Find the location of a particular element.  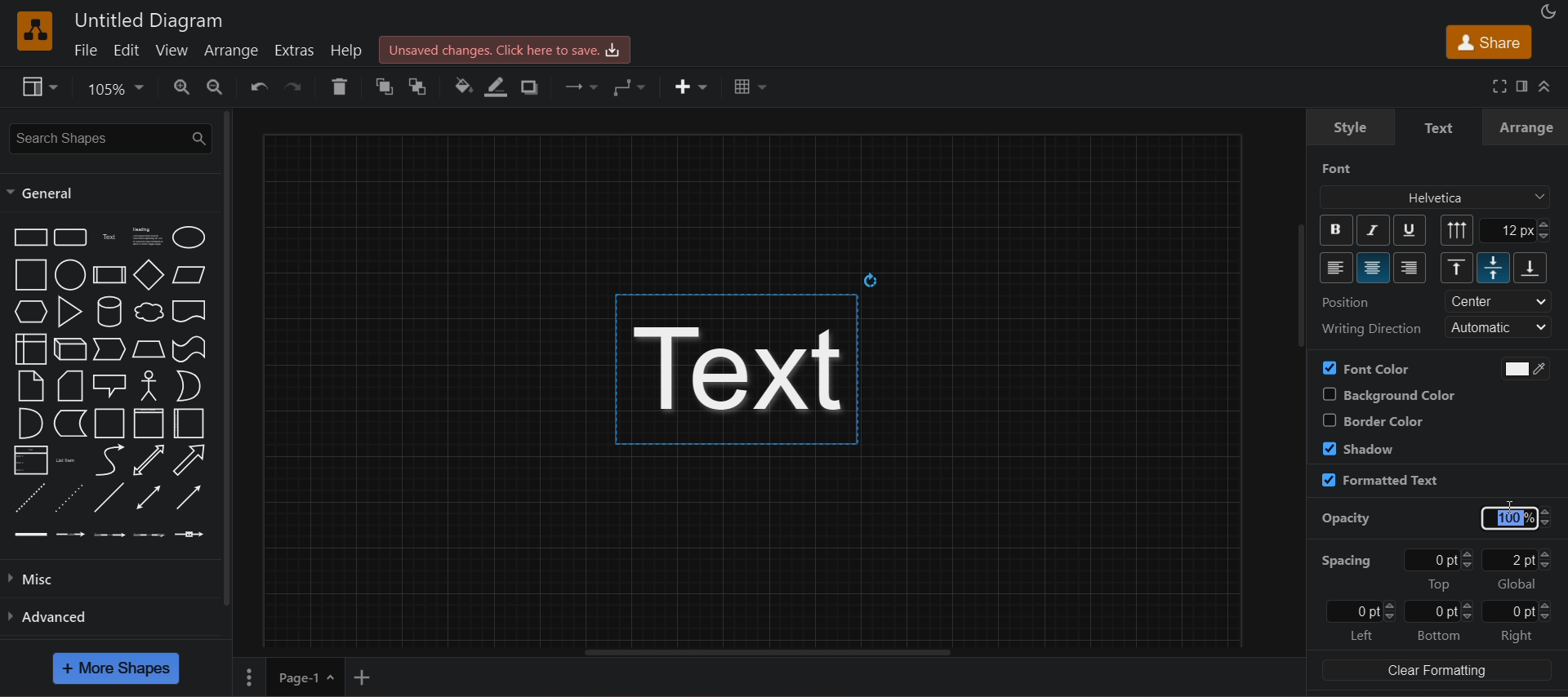

or is located at coordinates (189, 386).